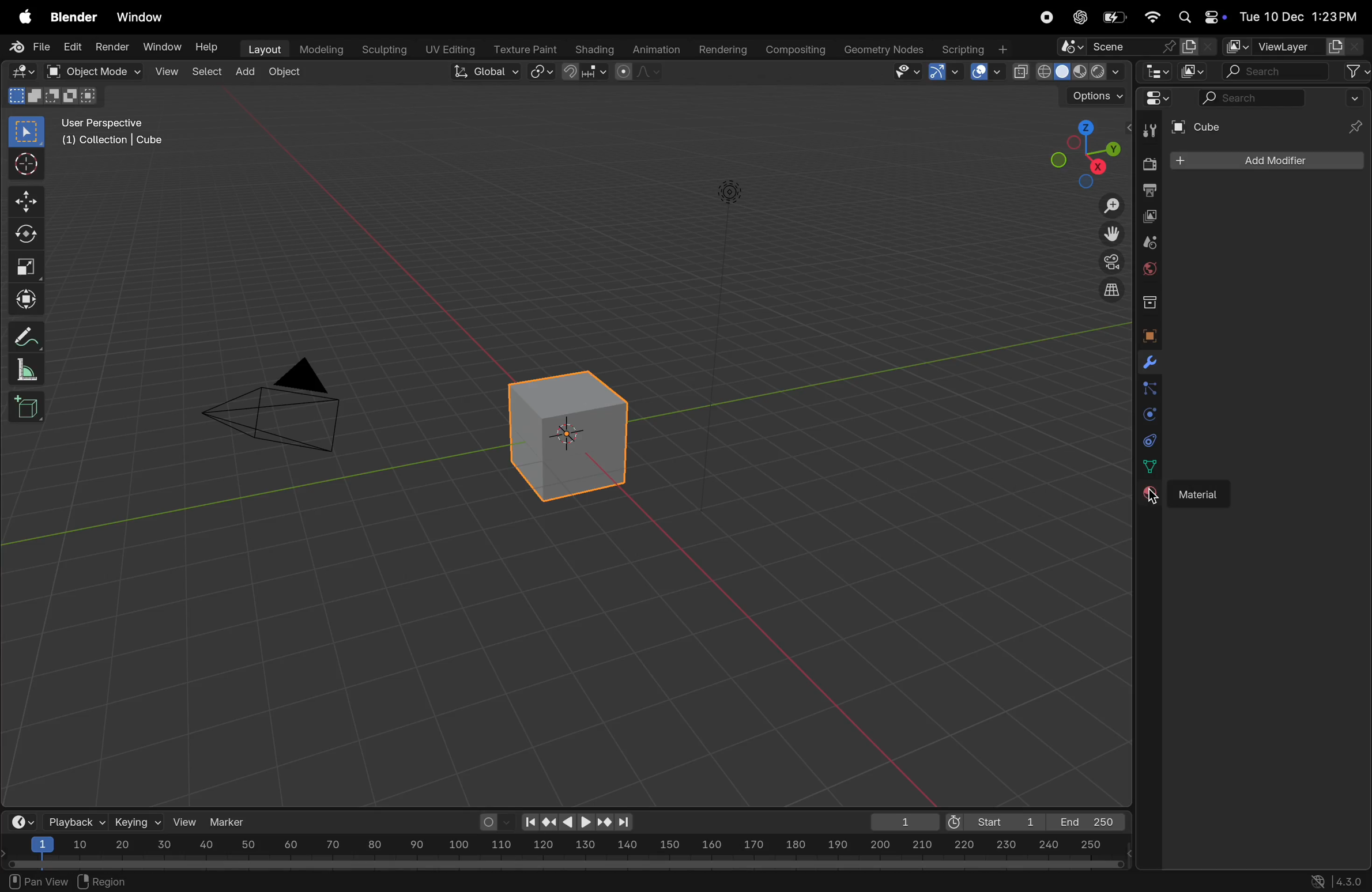 The height and width of the screenshot is (892, 1372). Describe the element at coordinates (22, 369) in the screenshot. I see `scale` at that location.